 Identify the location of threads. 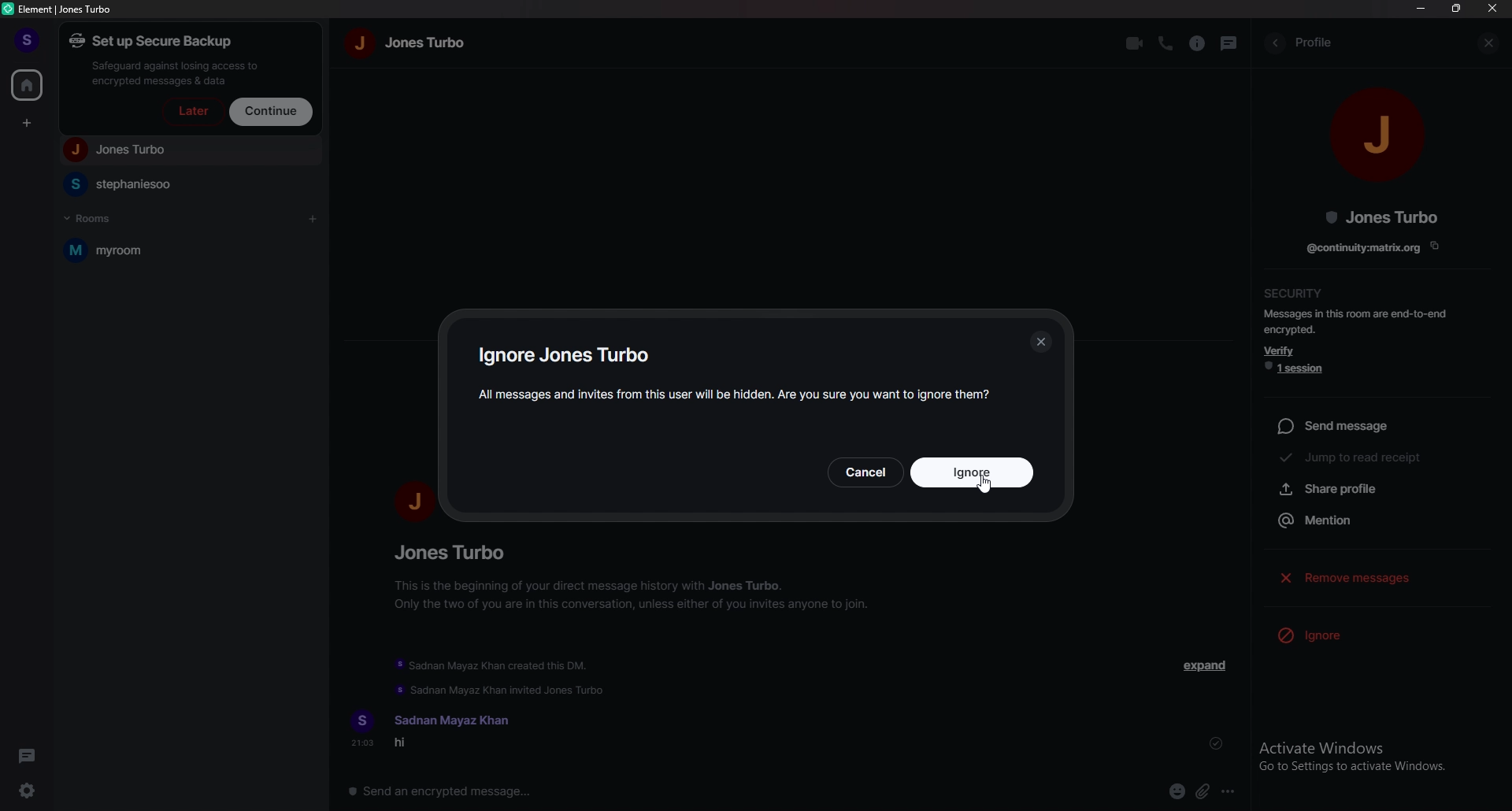
(1230, 43).